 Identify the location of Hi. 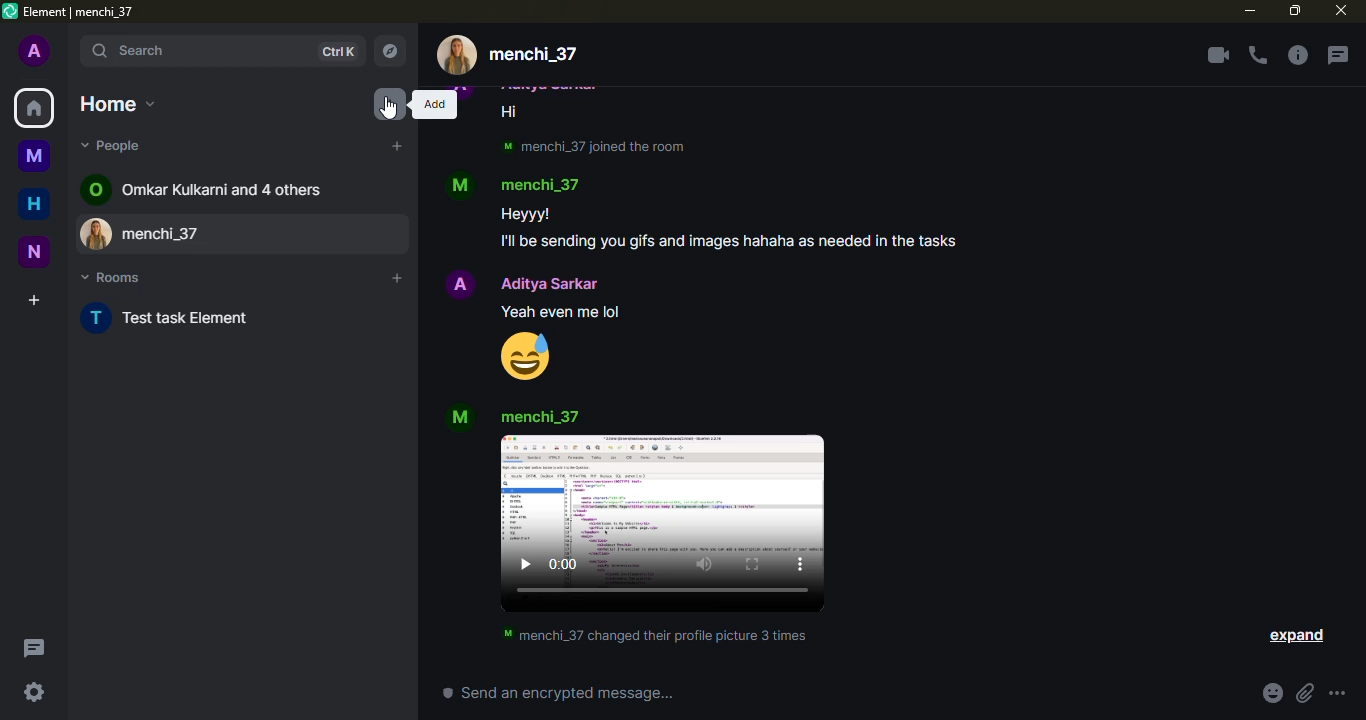
(510, 112).